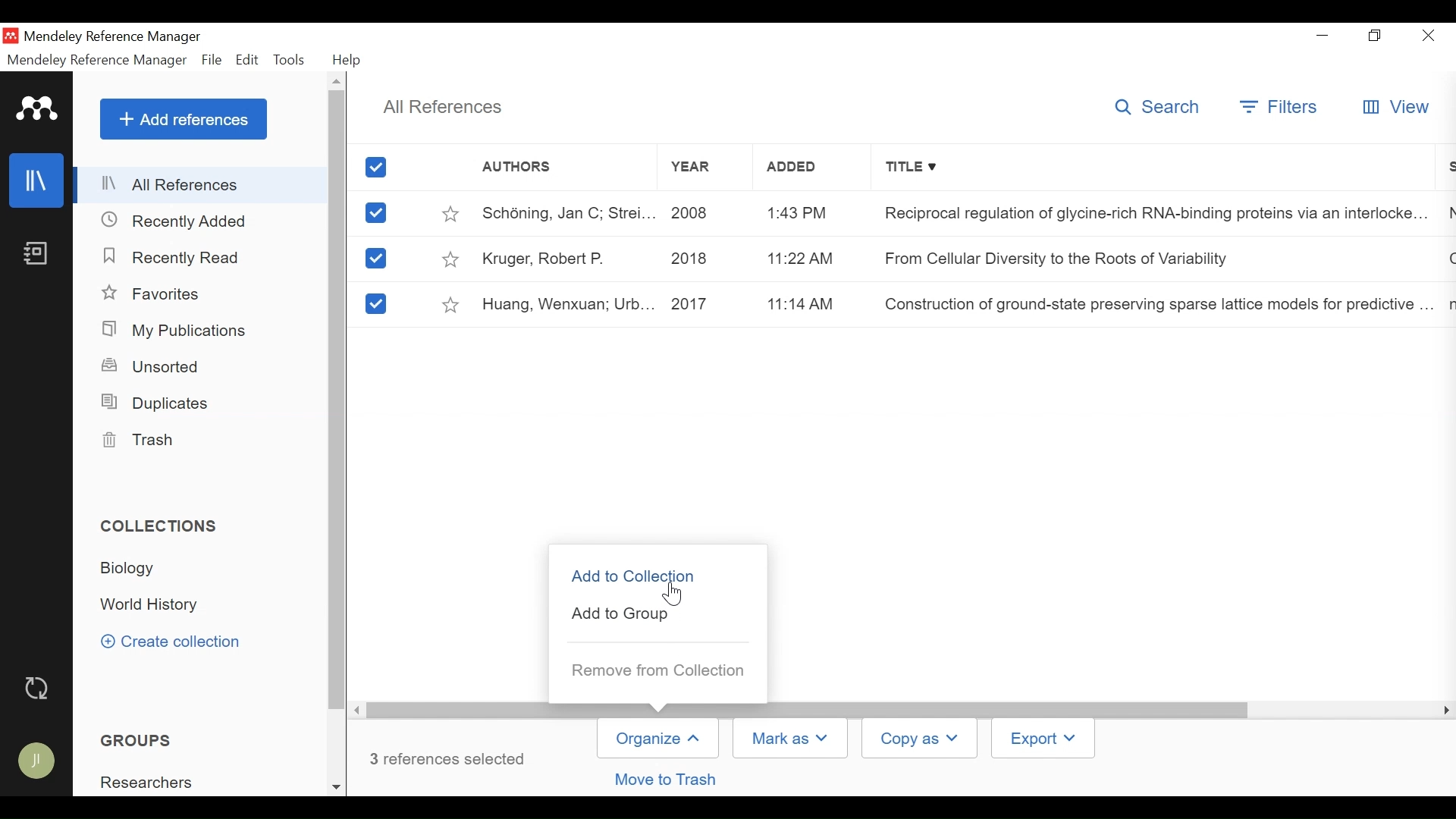 Image resolution: width=1456 pixels, height=819 pixels. Describe the element at coordinates (36, 255) in the screenshot. I see `Notebook` at that location.